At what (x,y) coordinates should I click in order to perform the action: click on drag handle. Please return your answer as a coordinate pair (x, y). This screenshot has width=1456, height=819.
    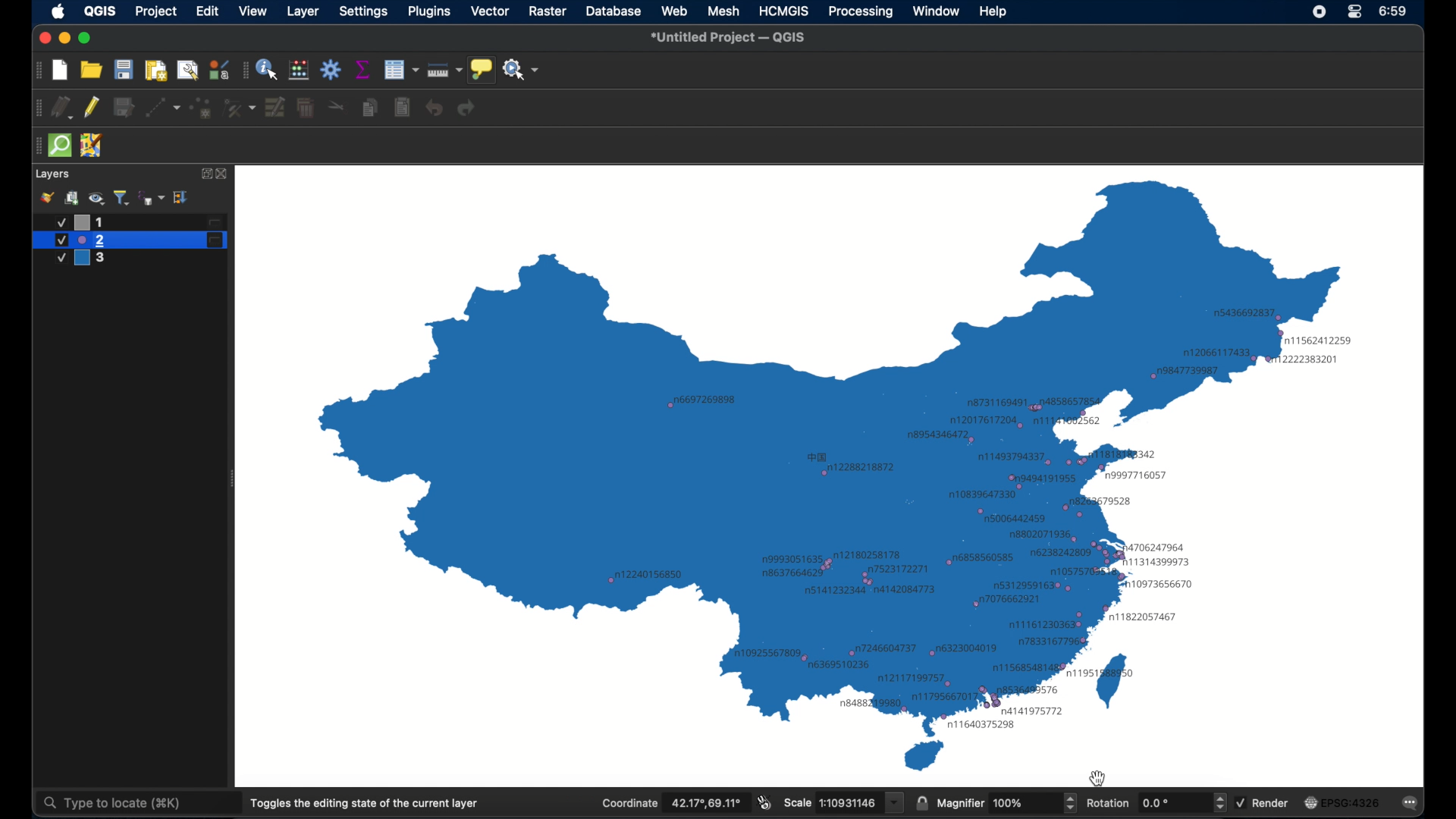
    Looking at the image, I should click on (36, 146).